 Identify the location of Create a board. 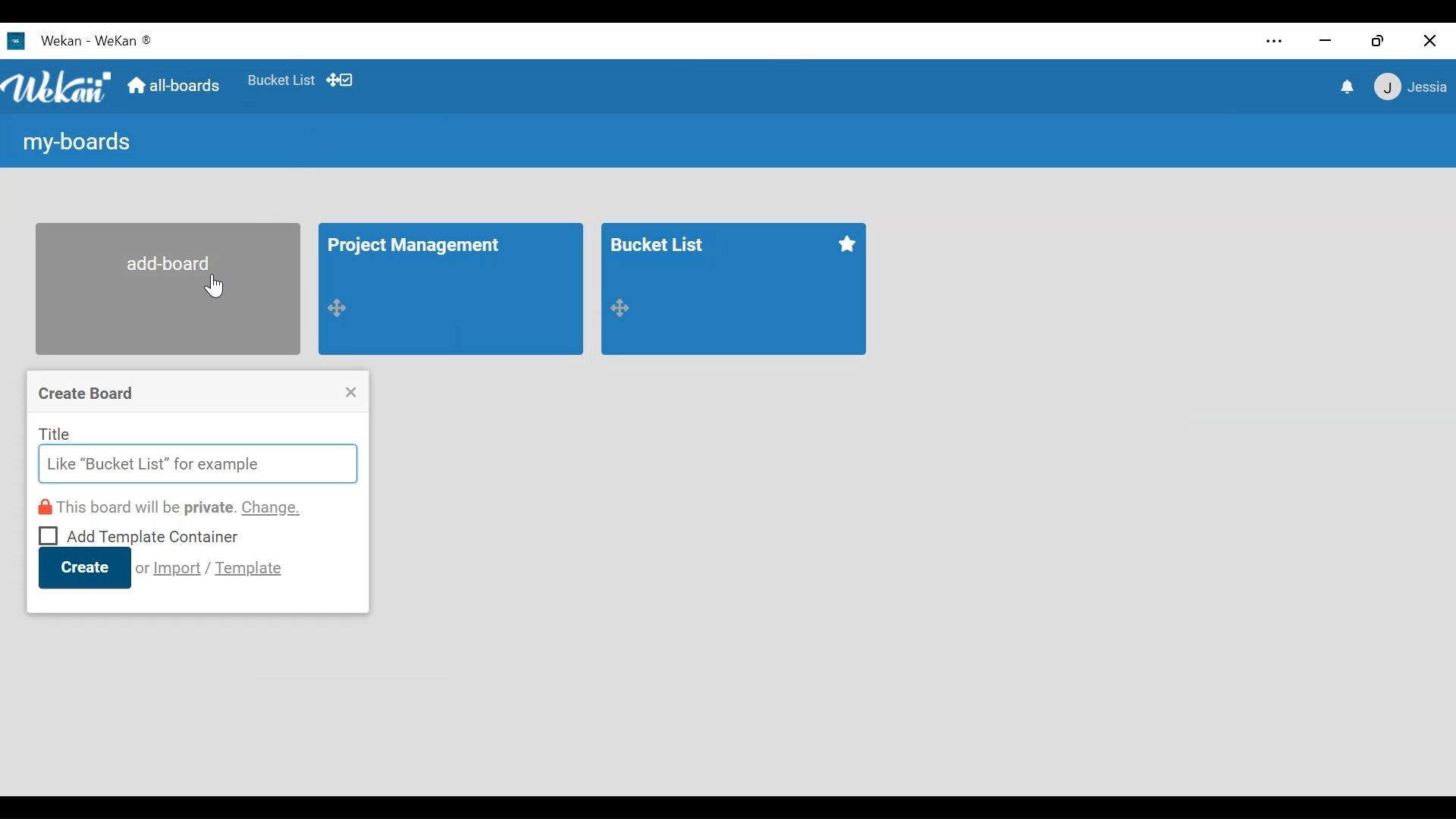
(88, 394).